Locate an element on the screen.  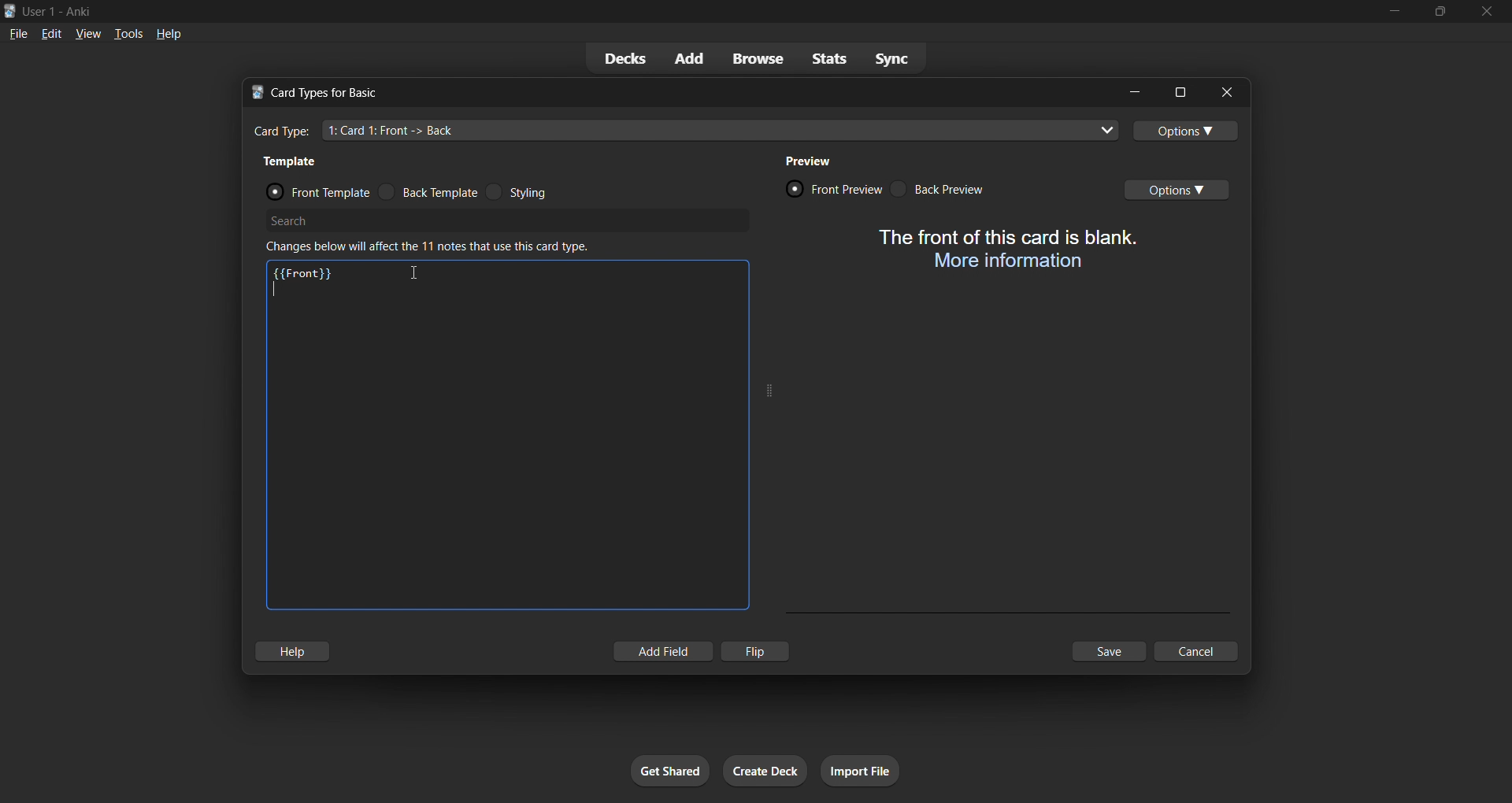
tools is located at coordinates (126, 35).